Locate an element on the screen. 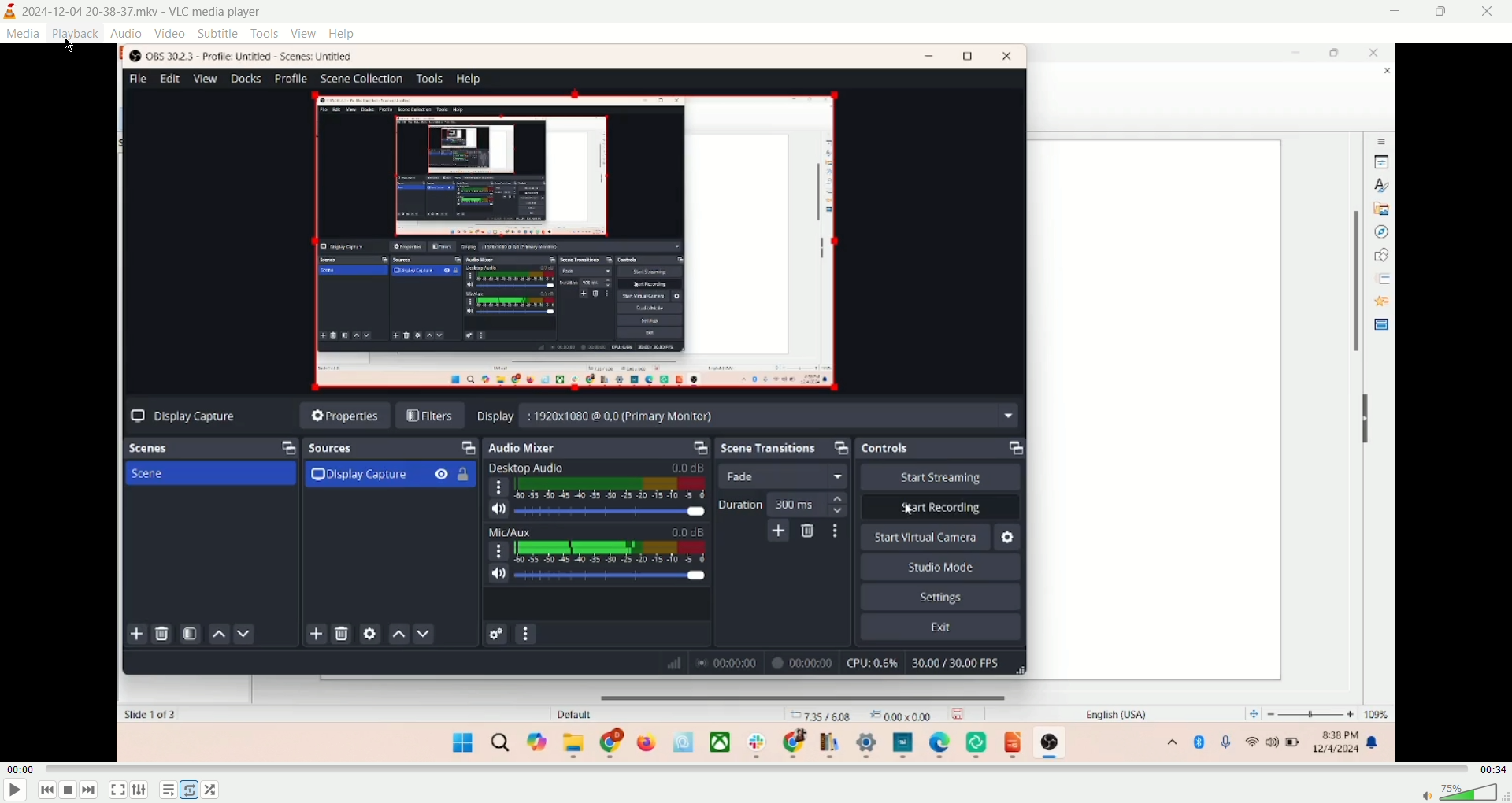 The image size is (1512, 803). tools is located at coordinates (265, 34).